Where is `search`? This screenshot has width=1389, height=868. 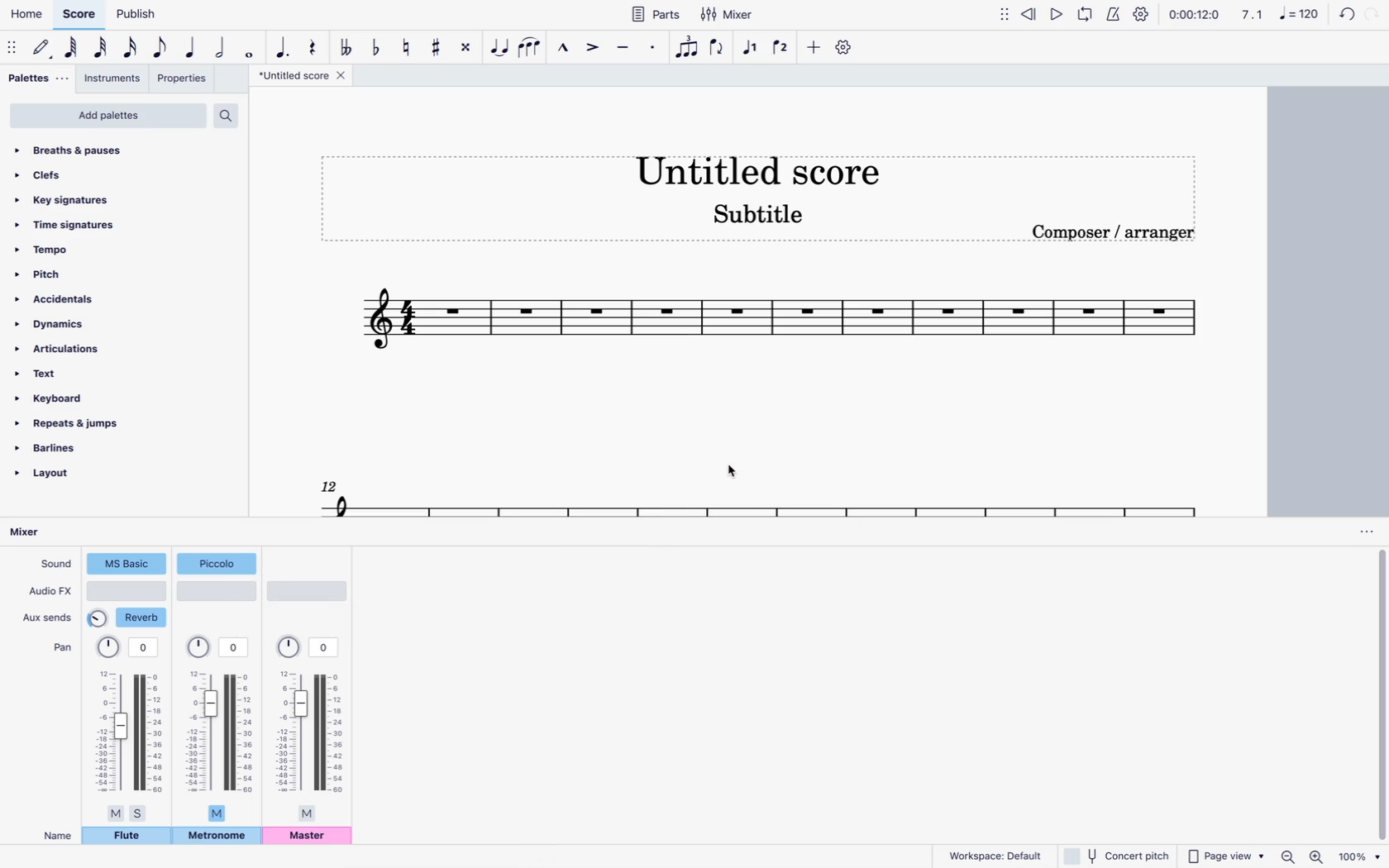
search is located at coordinates (232, 112).